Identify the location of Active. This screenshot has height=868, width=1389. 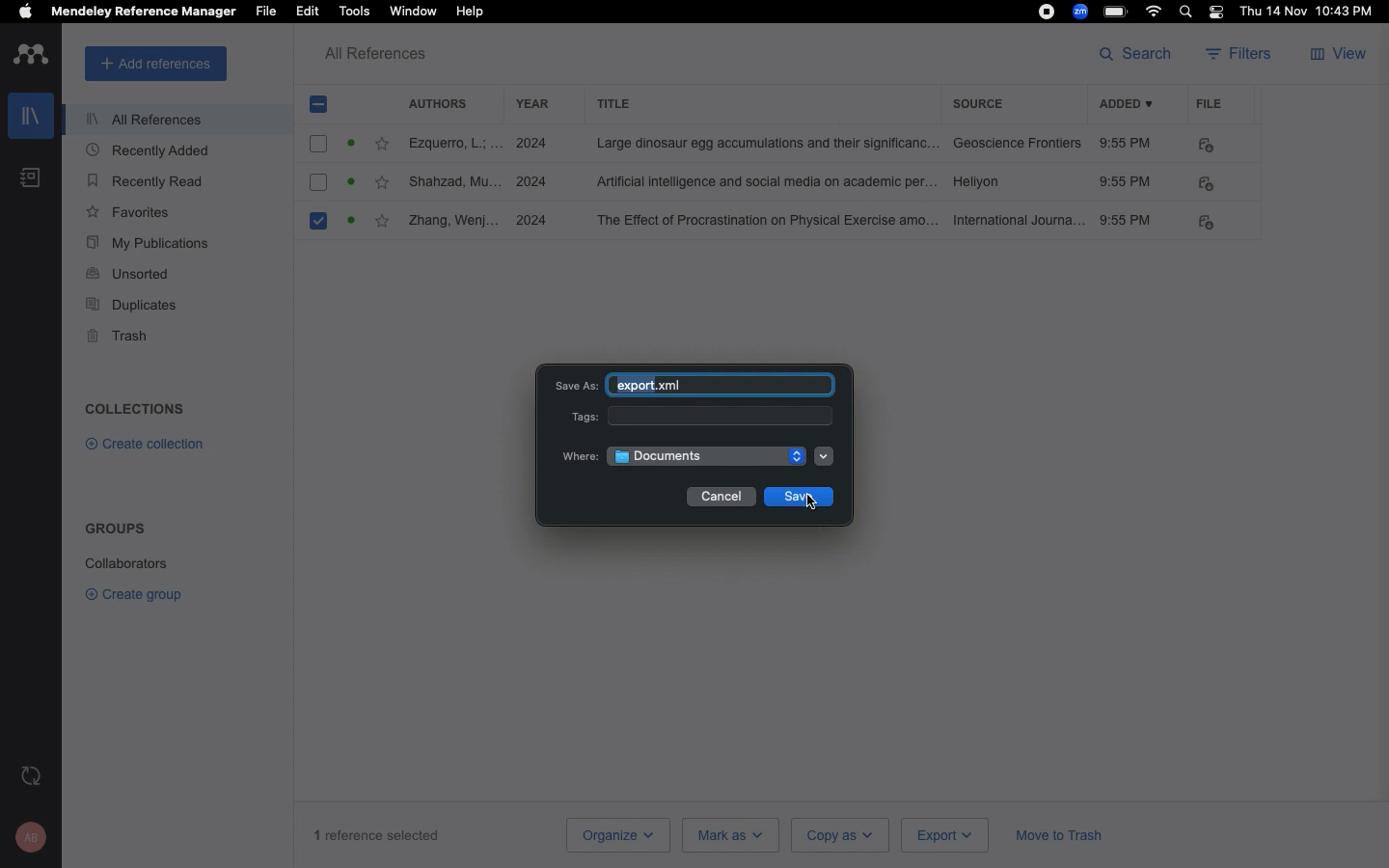
(350, 143).